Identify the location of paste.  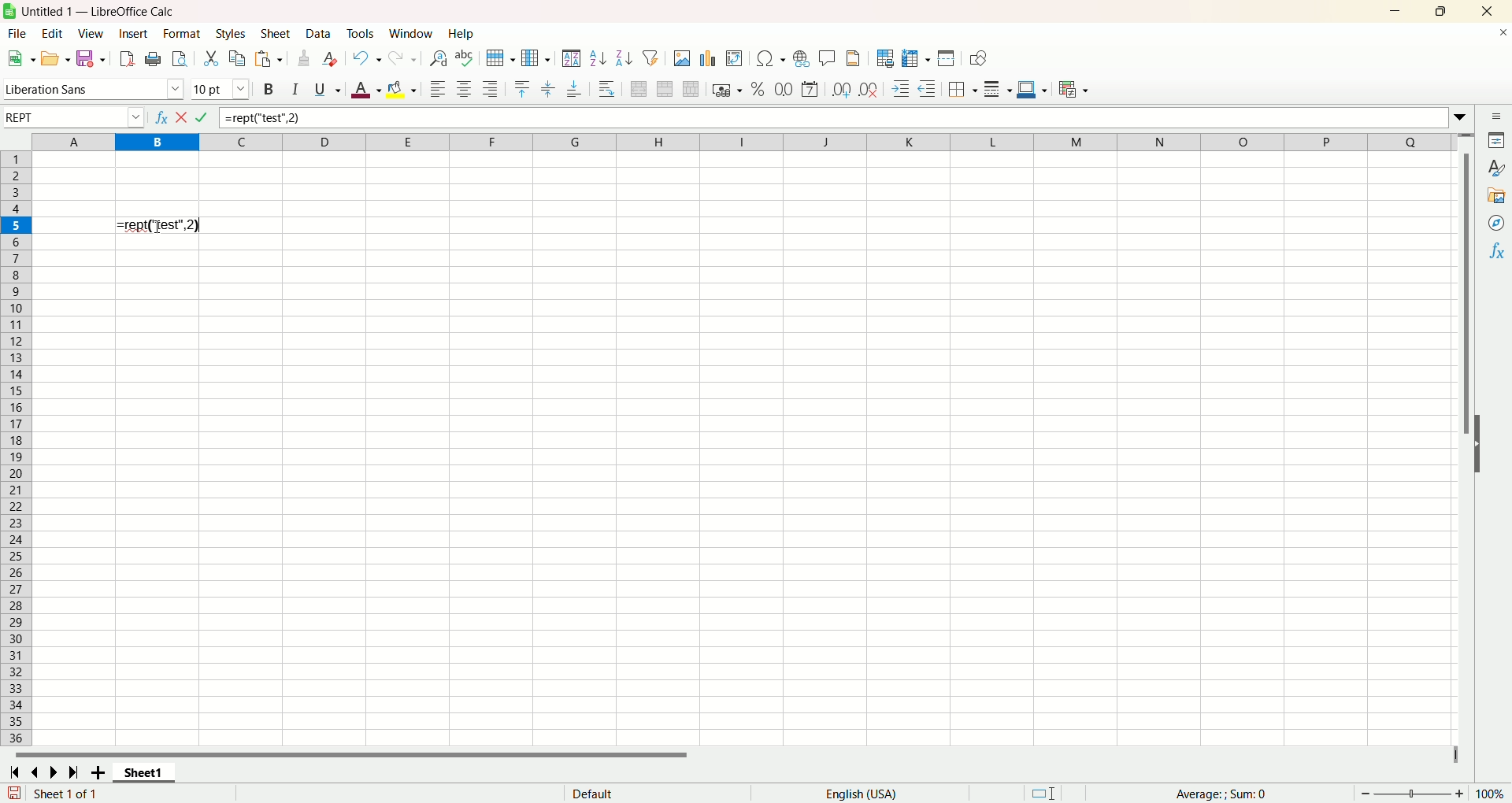
(269, 59).